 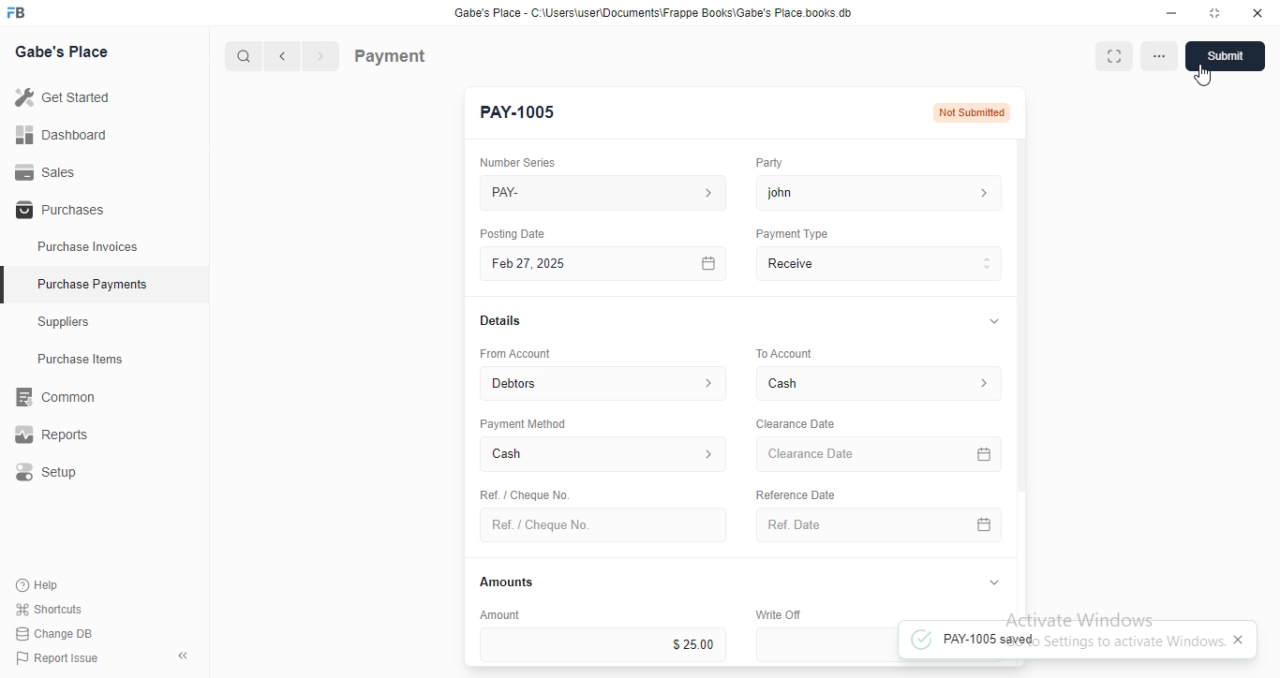 What do you see at coordinates (514, 233) in the screenshot?
I see `Posting Date` at bounding box center [514, 233].